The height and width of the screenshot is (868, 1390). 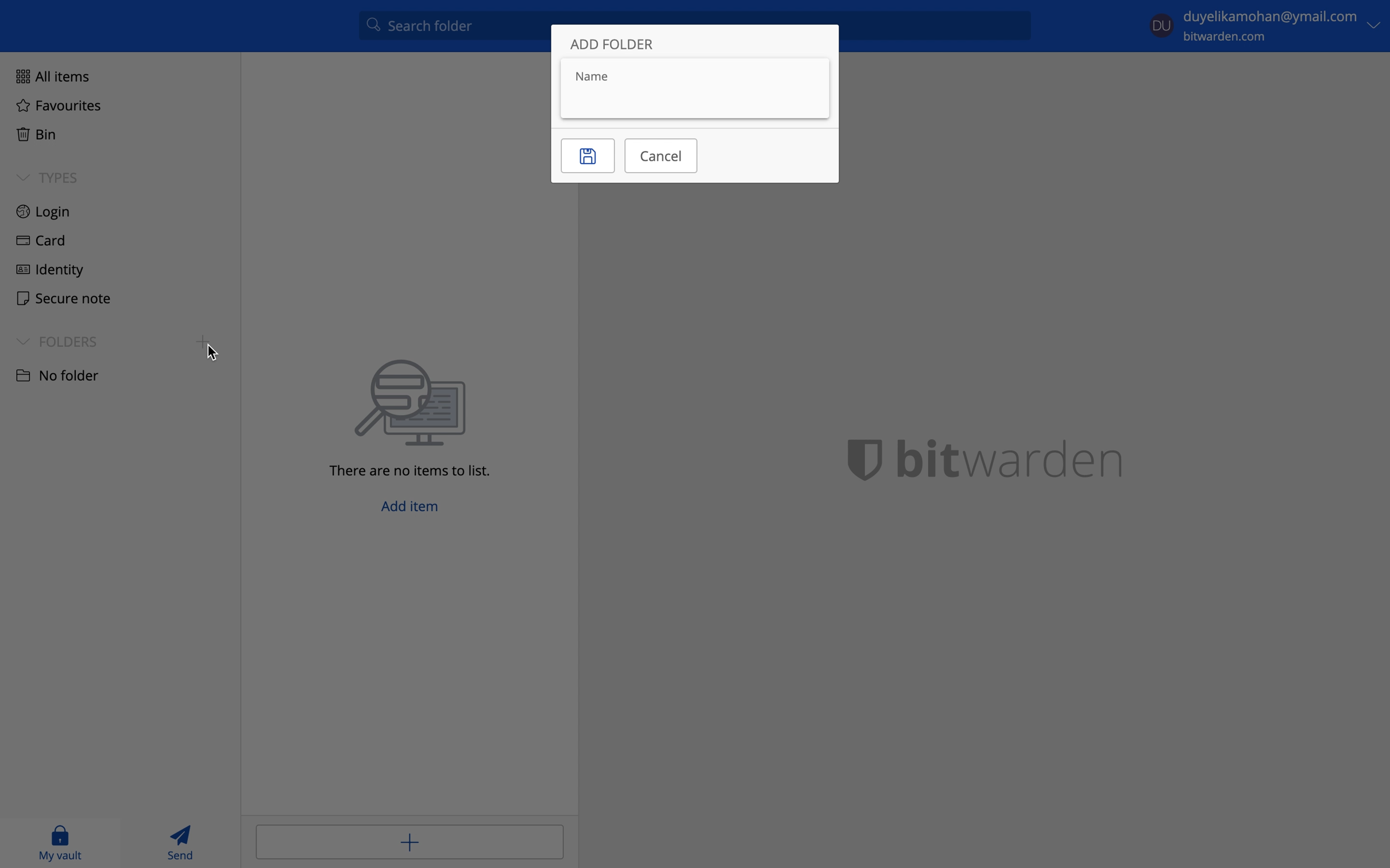 I want to click on types, so click(x=48, y=177).